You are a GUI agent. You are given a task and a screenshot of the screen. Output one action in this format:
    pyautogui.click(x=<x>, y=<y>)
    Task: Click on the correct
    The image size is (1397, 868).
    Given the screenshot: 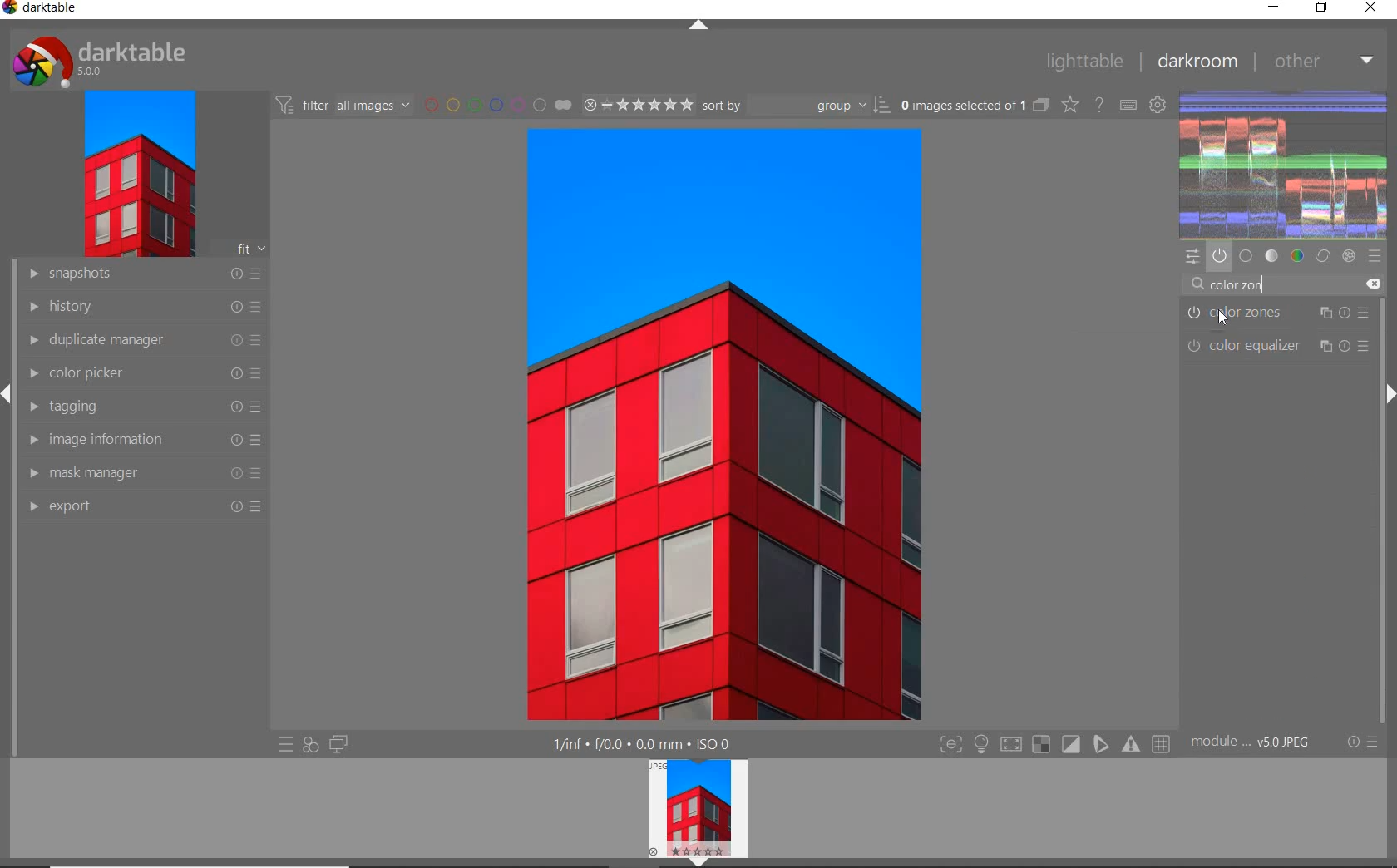 What is the action you would take?
    pyautogui.click(x=1323, y=257)
    